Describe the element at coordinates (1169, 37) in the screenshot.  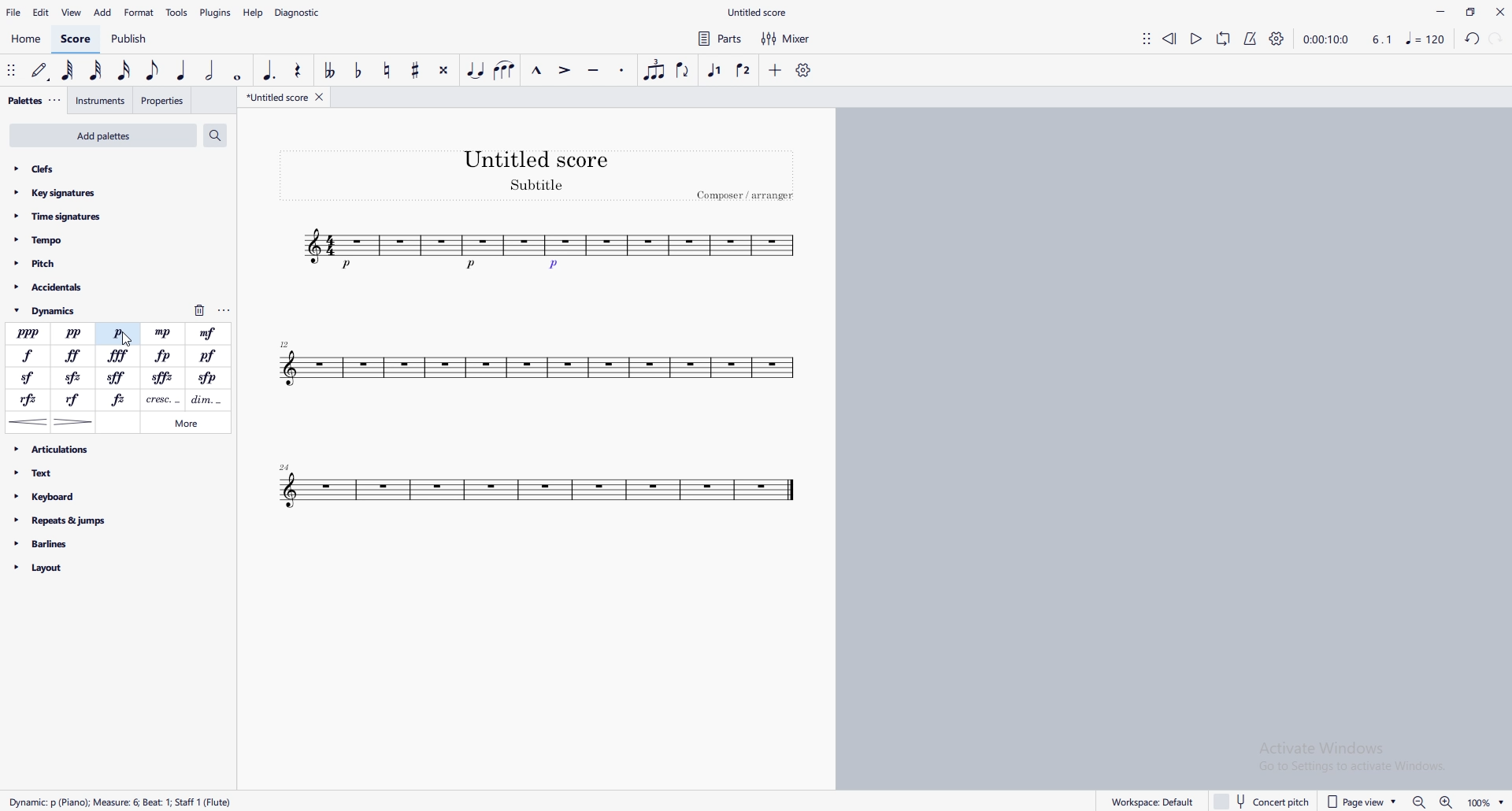
I see `rewind` at that location.